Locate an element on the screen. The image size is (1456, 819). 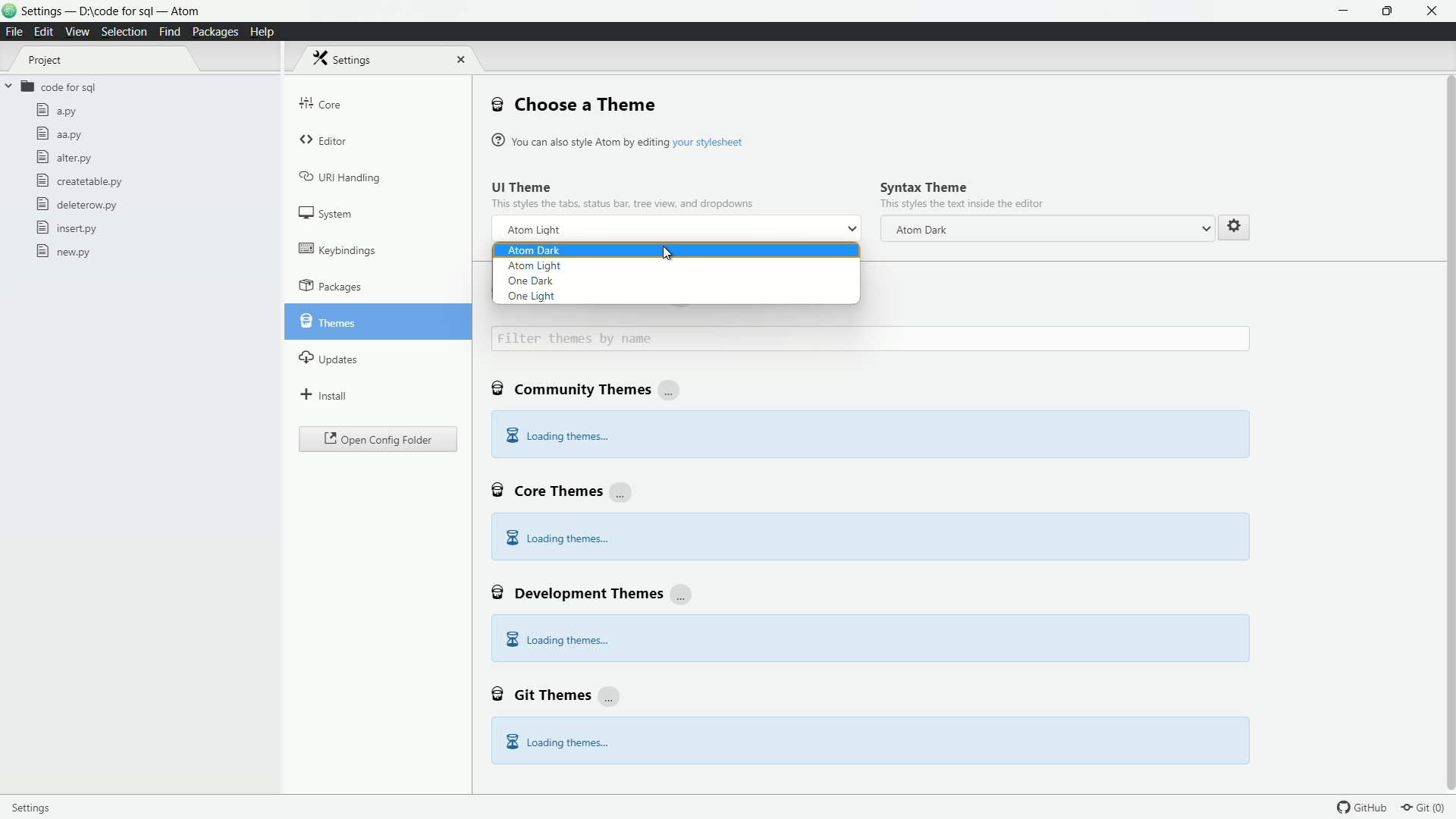
cursor is located at coordinates (666, 252).